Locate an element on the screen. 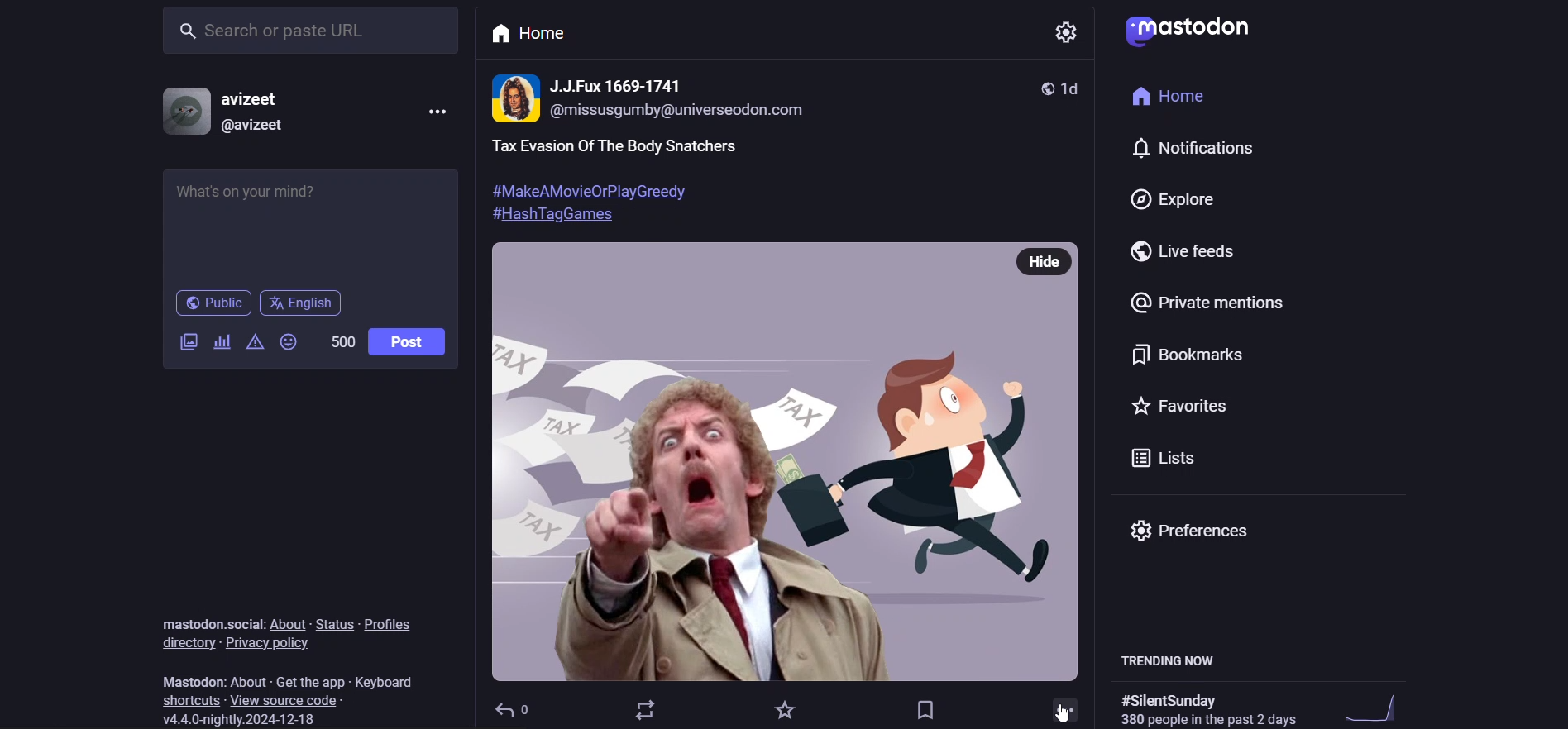  list is located at coordinates (1181, 455).